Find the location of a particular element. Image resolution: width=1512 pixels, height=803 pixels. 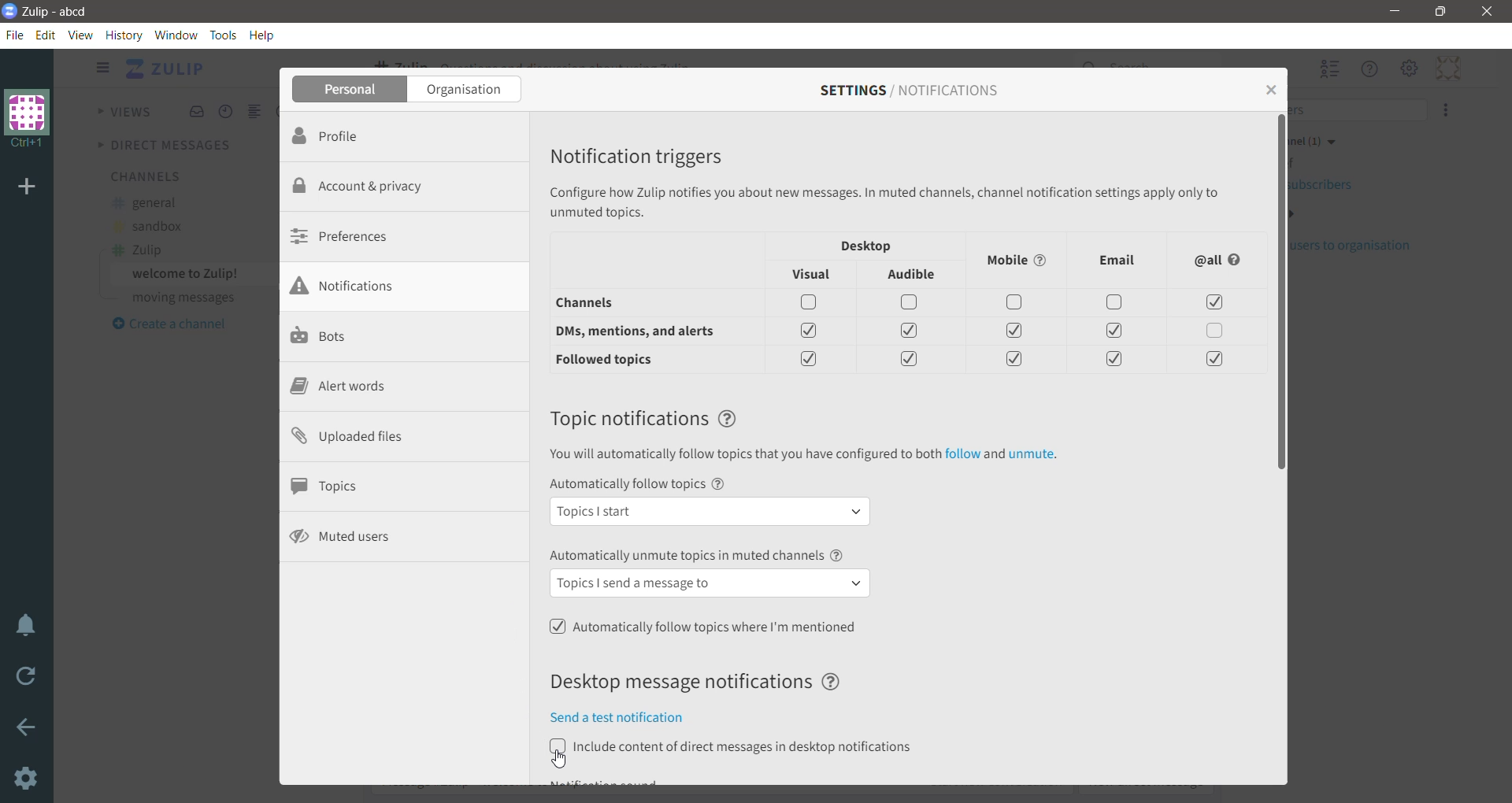

History is located at coordinates (124, 35).